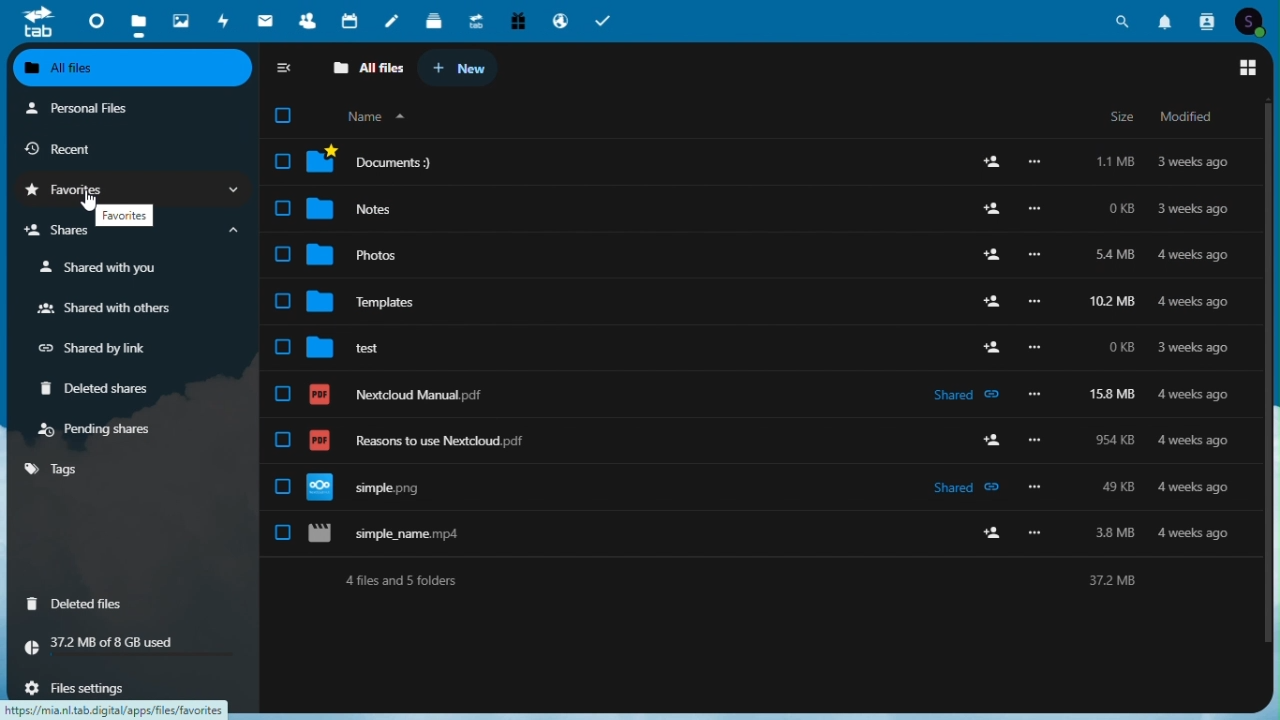  I want to click on file settings, so click(79, 687).